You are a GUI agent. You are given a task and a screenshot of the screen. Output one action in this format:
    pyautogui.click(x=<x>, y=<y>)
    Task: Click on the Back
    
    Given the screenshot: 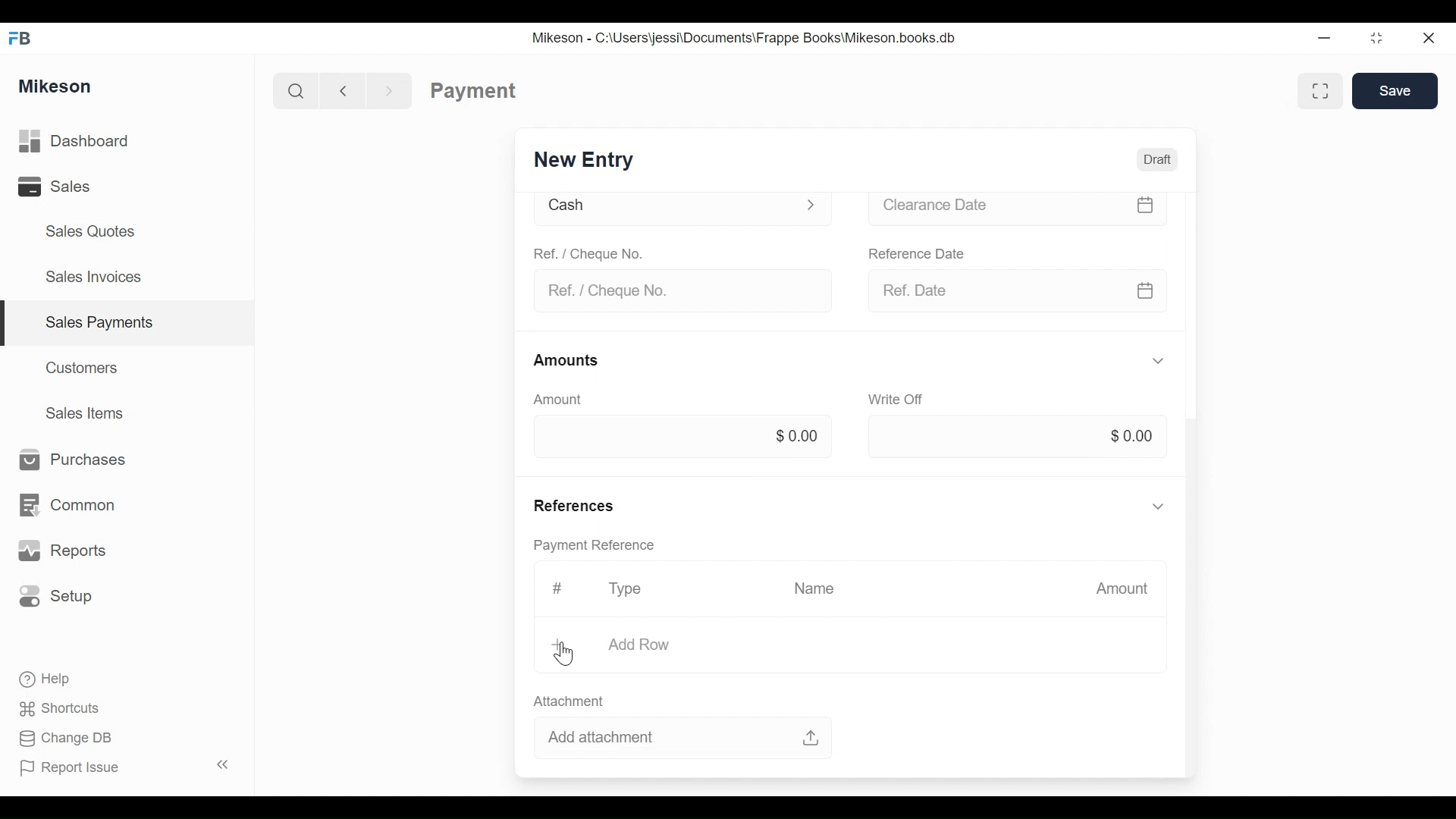 What is the action you would take?
    pyautogui.click(x=350, y=89)
    